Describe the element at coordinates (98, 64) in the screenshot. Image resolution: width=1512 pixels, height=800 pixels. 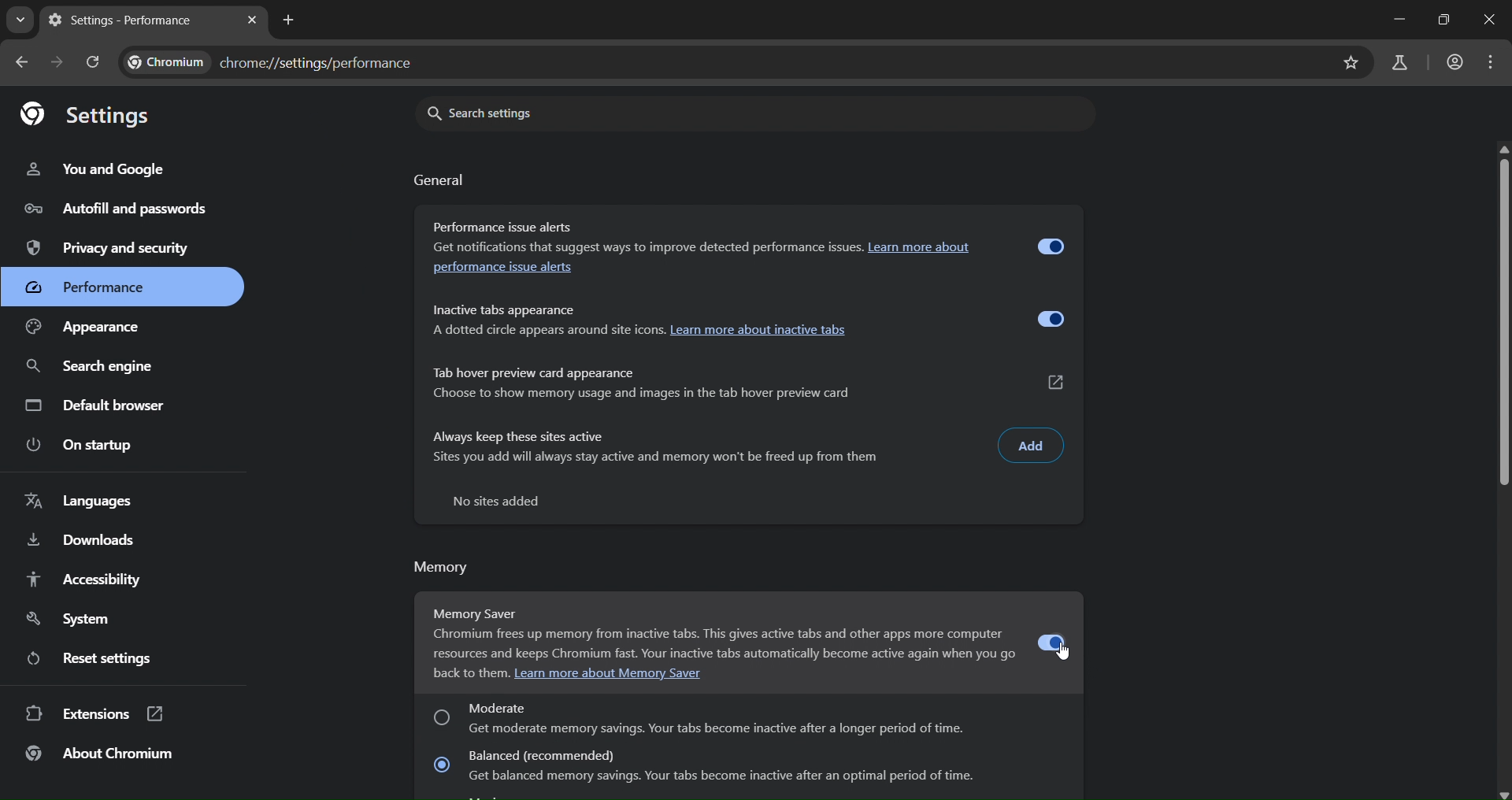
I see `reload` at that location.